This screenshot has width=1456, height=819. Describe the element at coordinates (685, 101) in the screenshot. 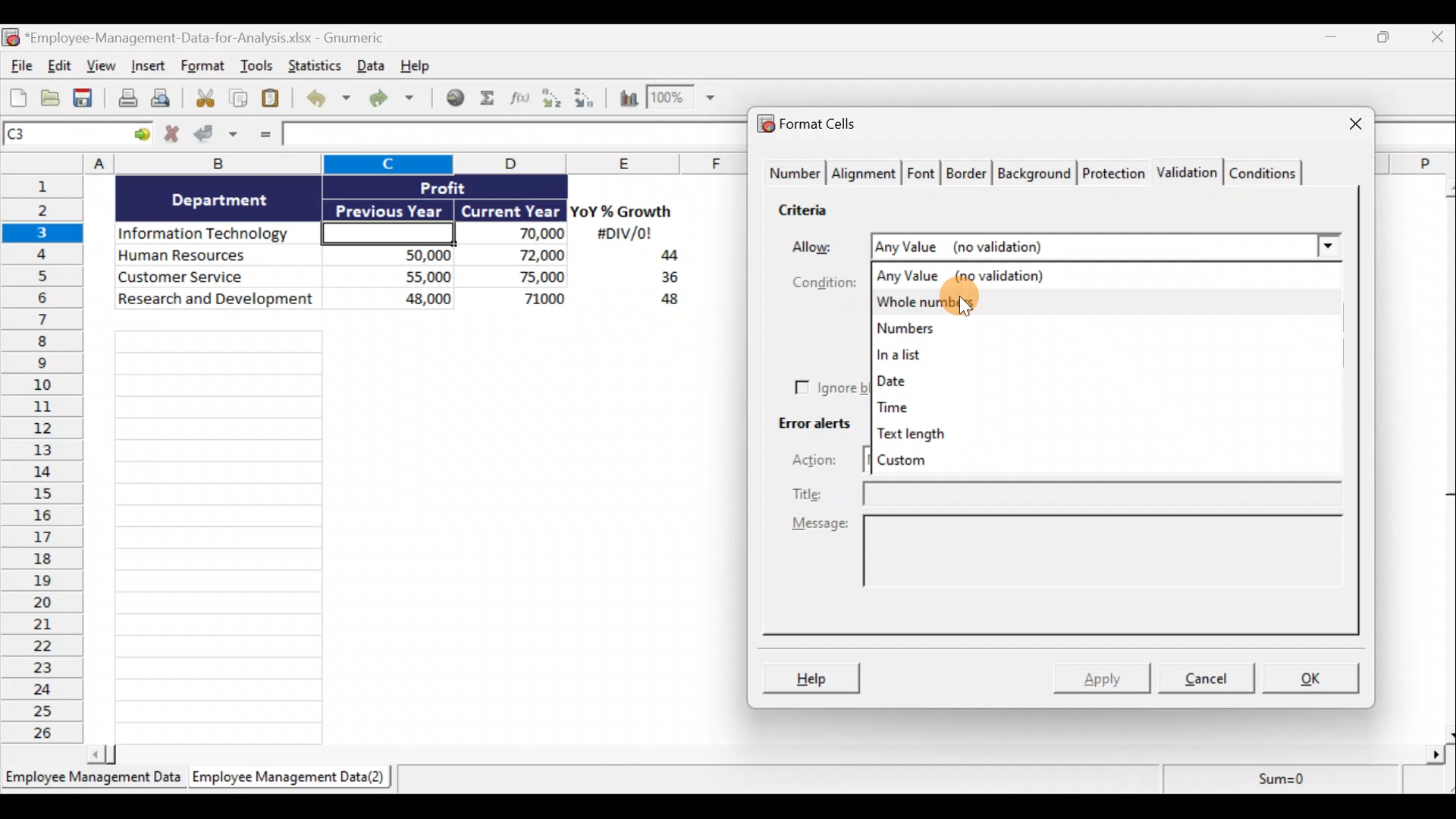

I see `Zoom` at that location.